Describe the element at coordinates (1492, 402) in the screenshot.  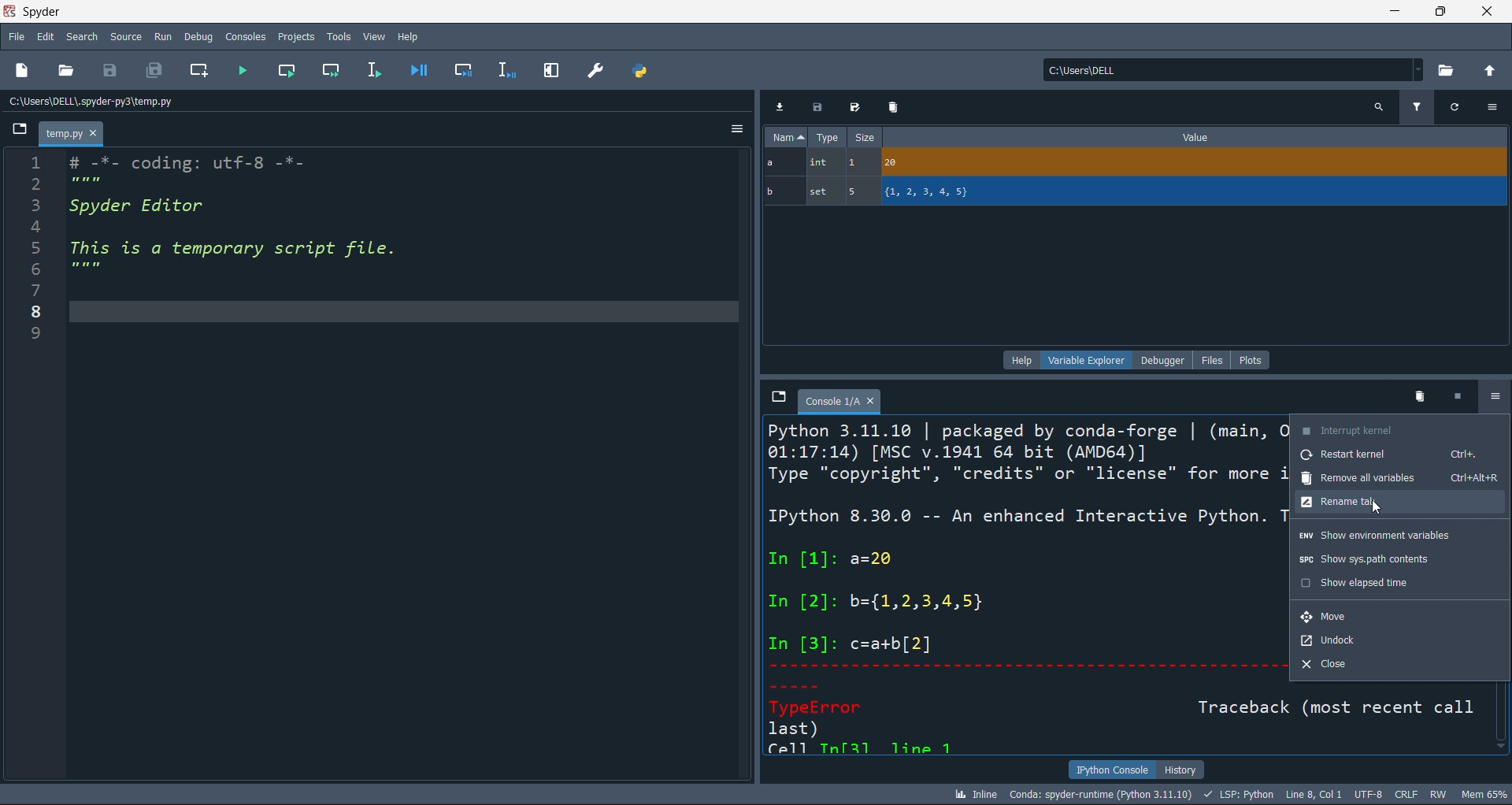
I see `cursor` at that location.